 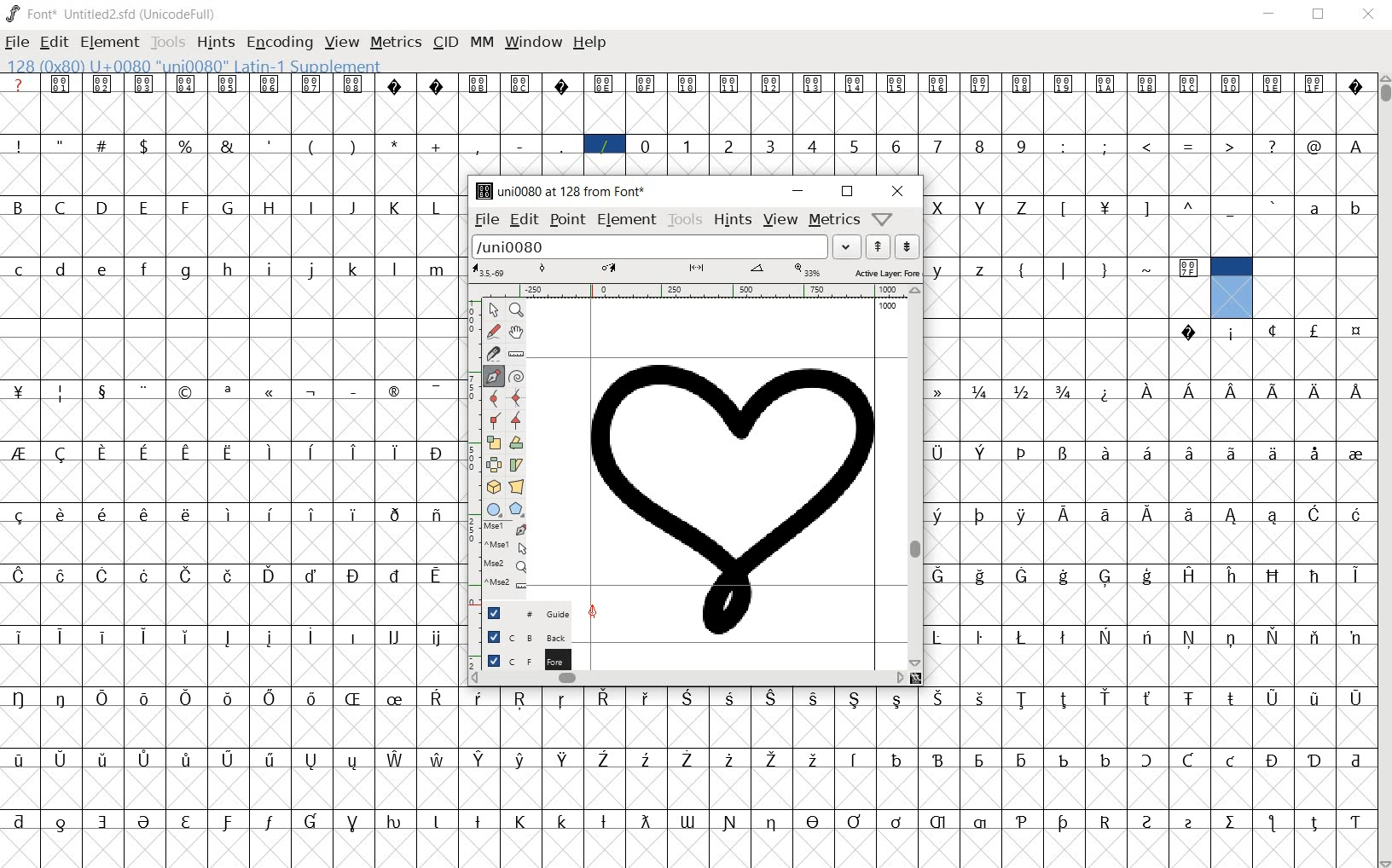 What do you see at coordinates (103, 822) in the screenshot?
I see `glyph` at bounding box center [103, 822].